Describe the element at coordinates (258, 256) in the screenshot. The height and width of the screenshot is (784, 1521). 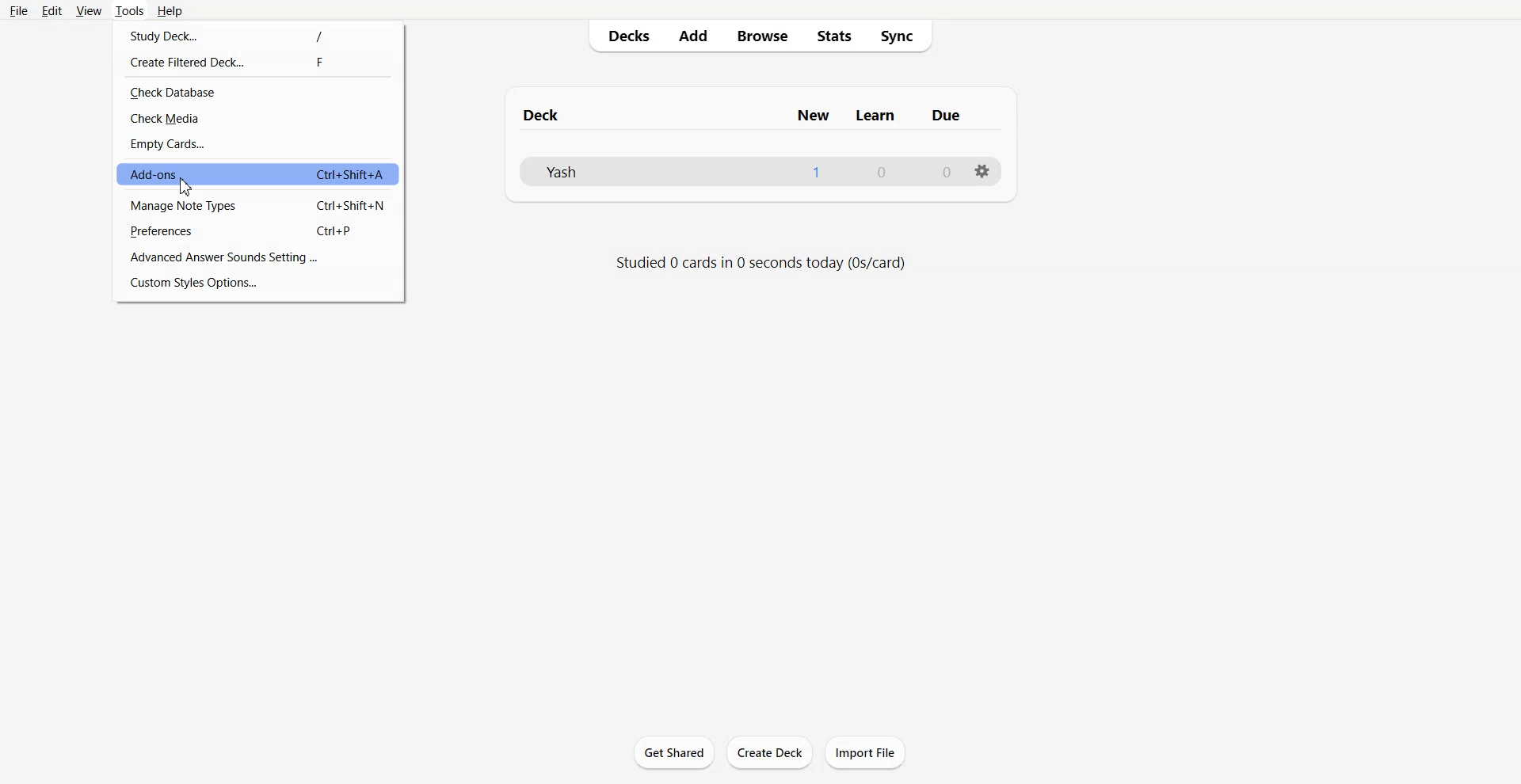
I see `Advanced answer sounds settings` at that location.